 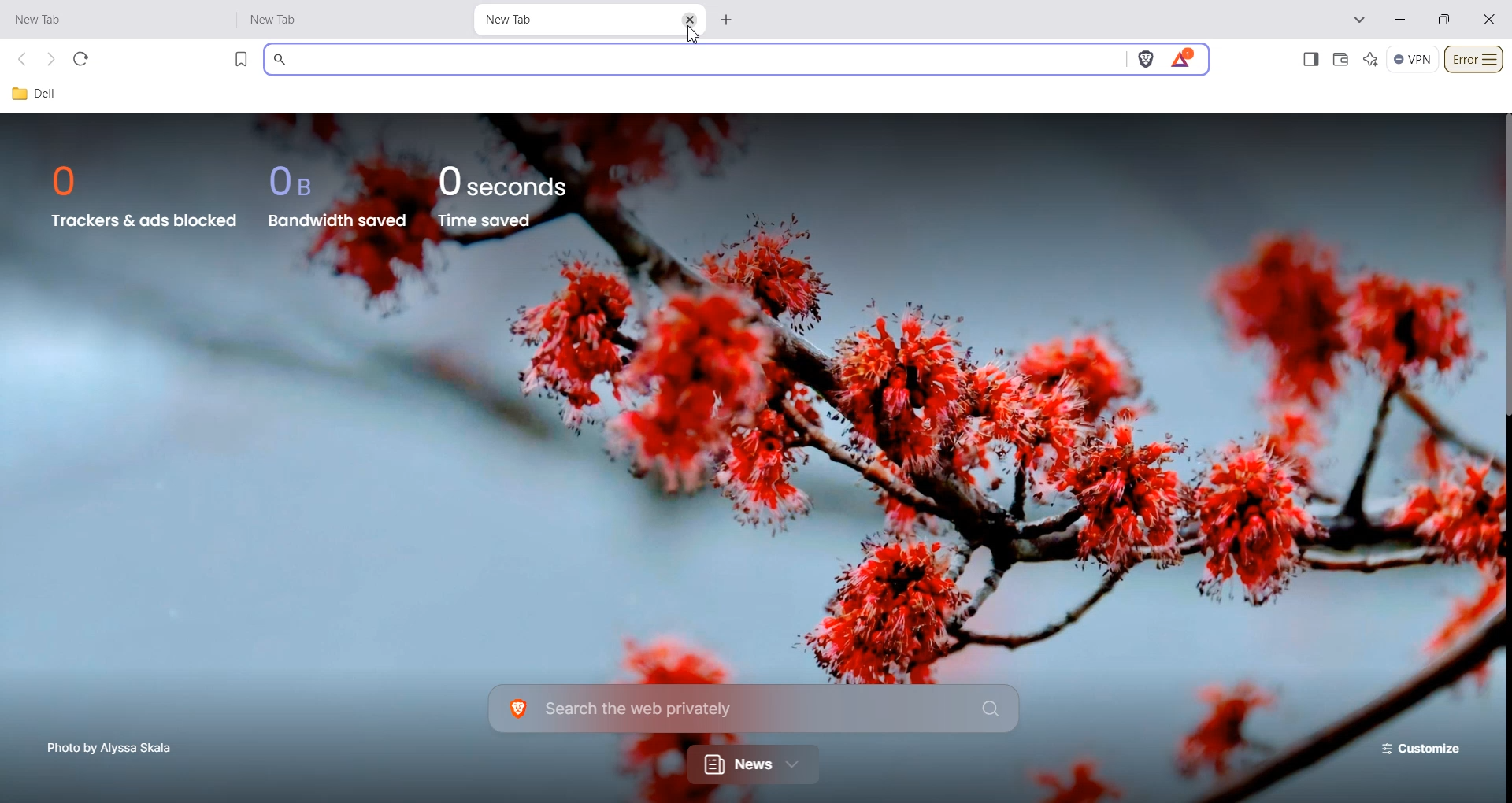 I want to click on Trackers & ads blocked, so click(x=144, y=220).